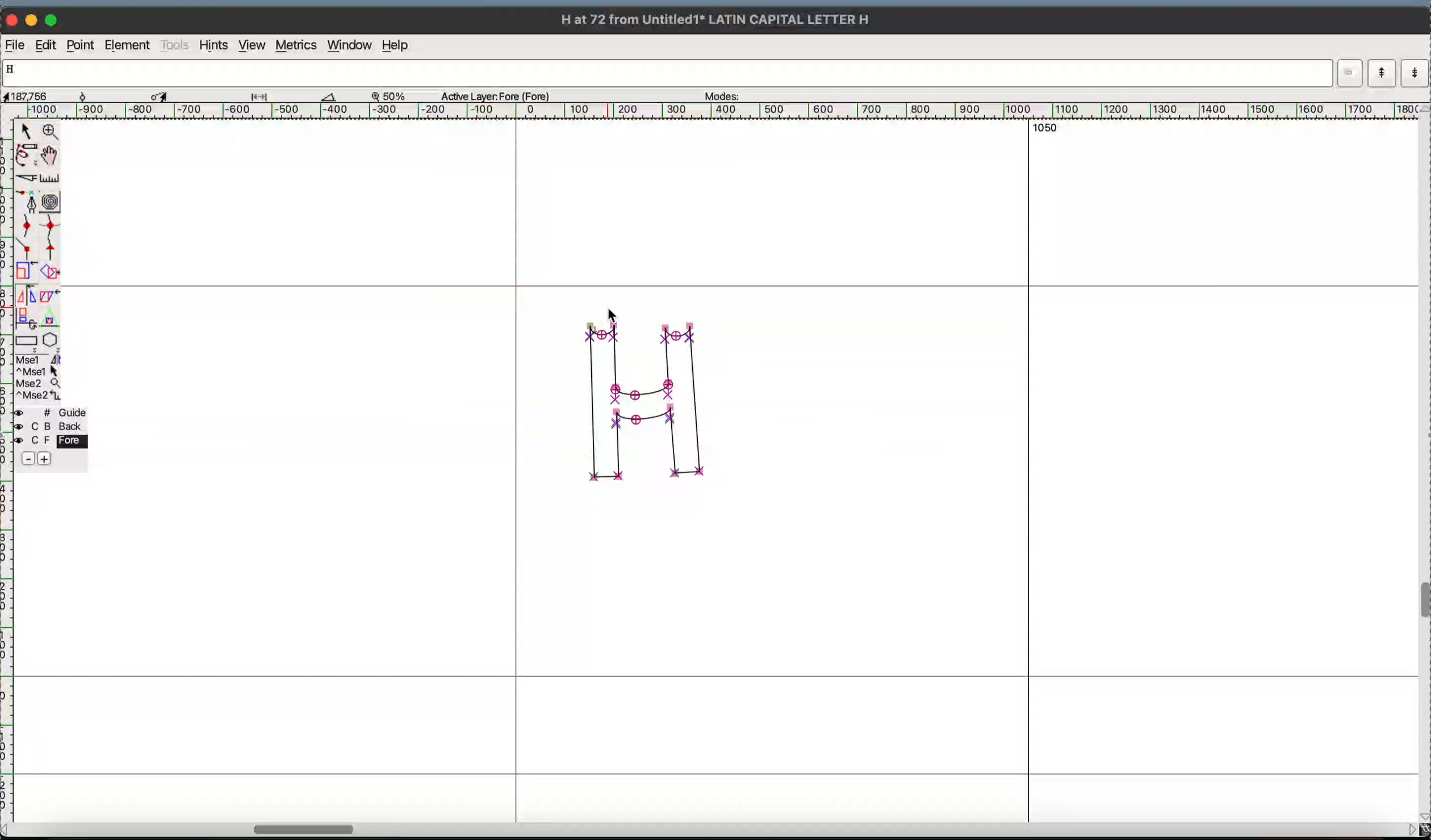 Image resolution: width=1431 pixels, height=840 pixels. Describe the element at coordinates (51, 294) in the screenshot. I see `skew` at that location.